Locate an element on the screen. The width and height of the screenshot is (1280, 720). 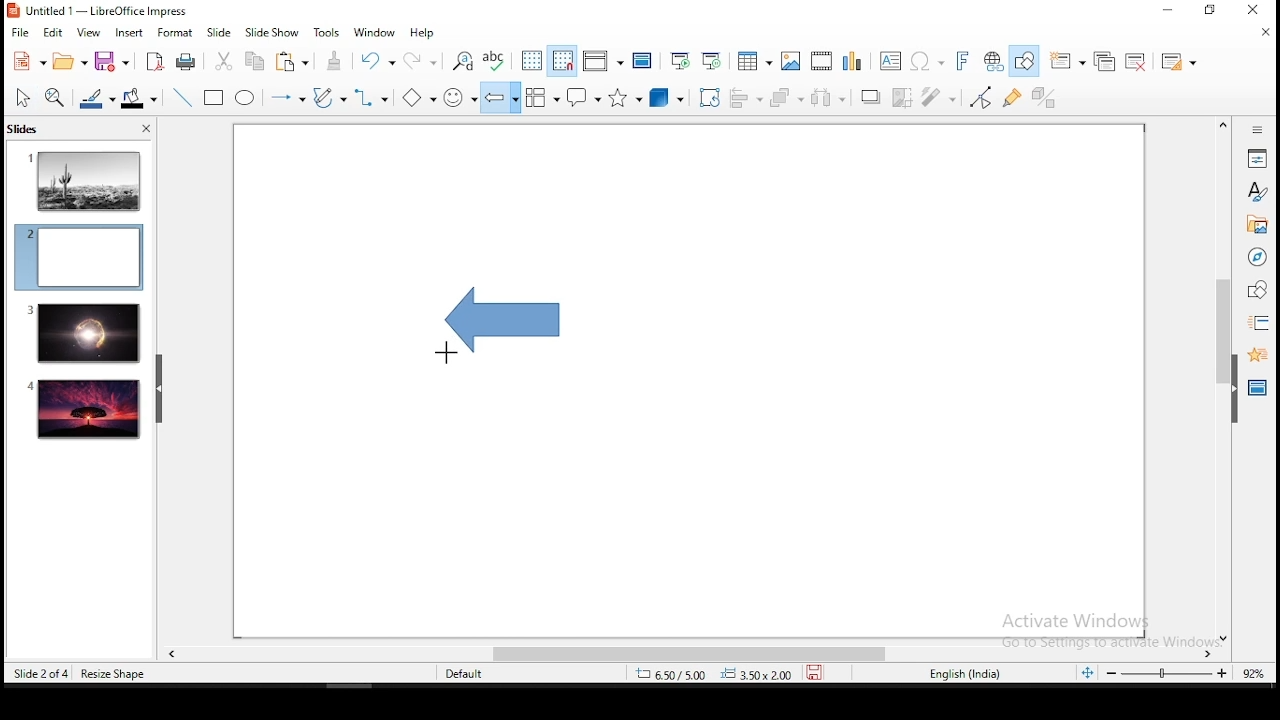
slide show is located at coordinates (274, 33).